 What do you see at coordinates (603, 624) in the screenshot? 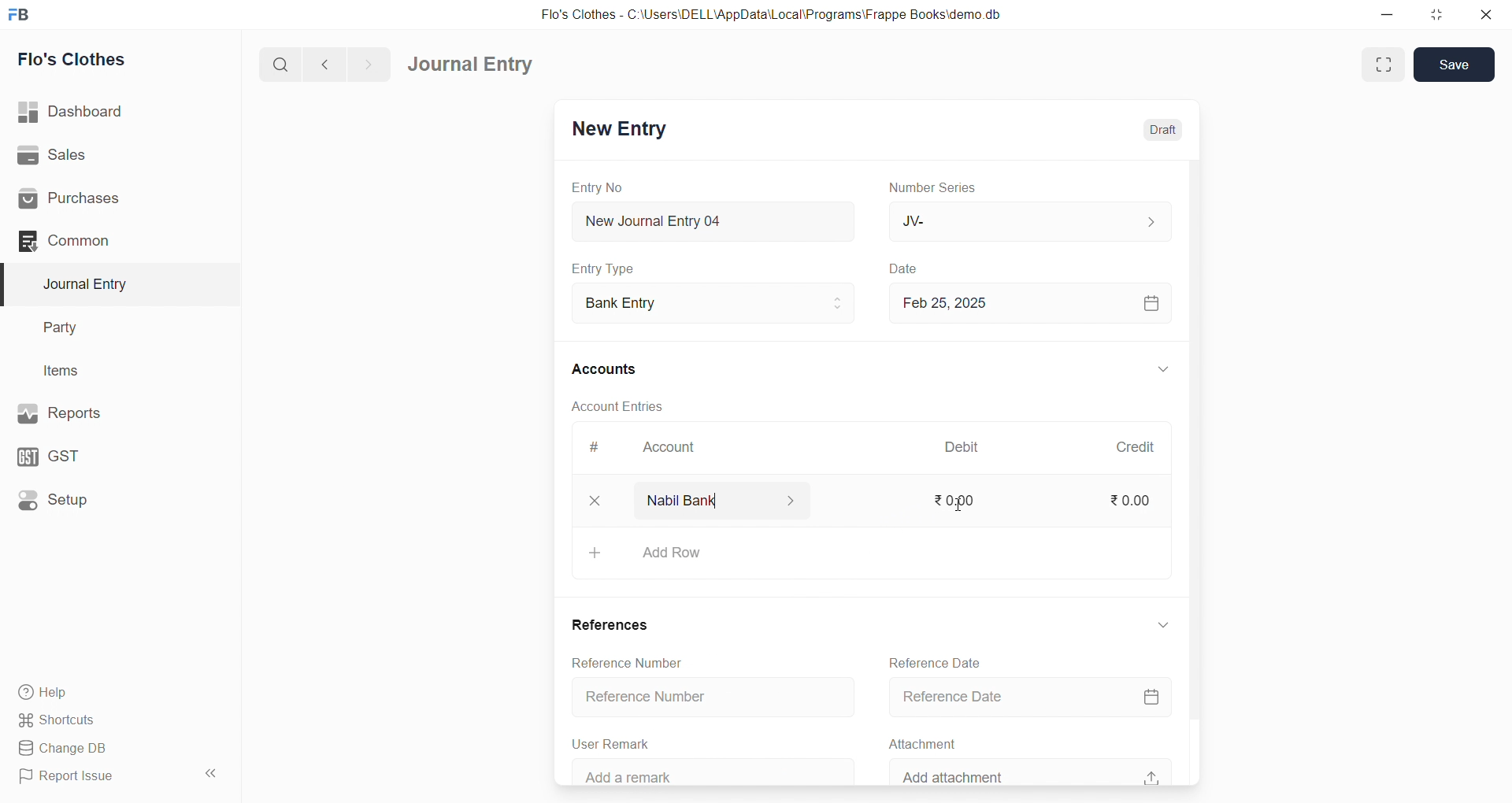
I see `References` at bounding box center [603, 624].